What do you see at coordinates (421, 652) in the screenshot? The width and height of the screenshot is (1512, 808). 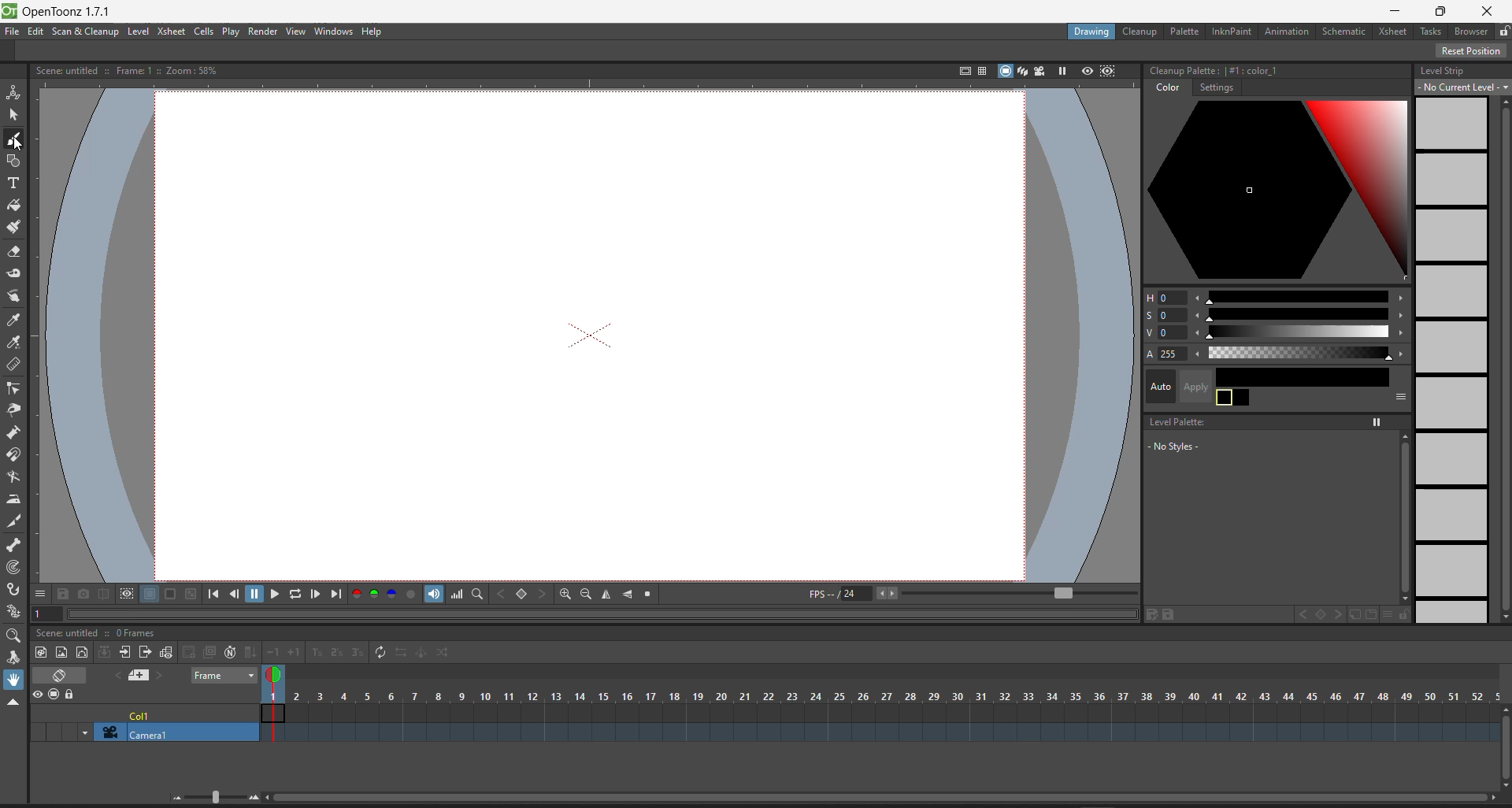 I see `swing` at bounding box center [421, 652].